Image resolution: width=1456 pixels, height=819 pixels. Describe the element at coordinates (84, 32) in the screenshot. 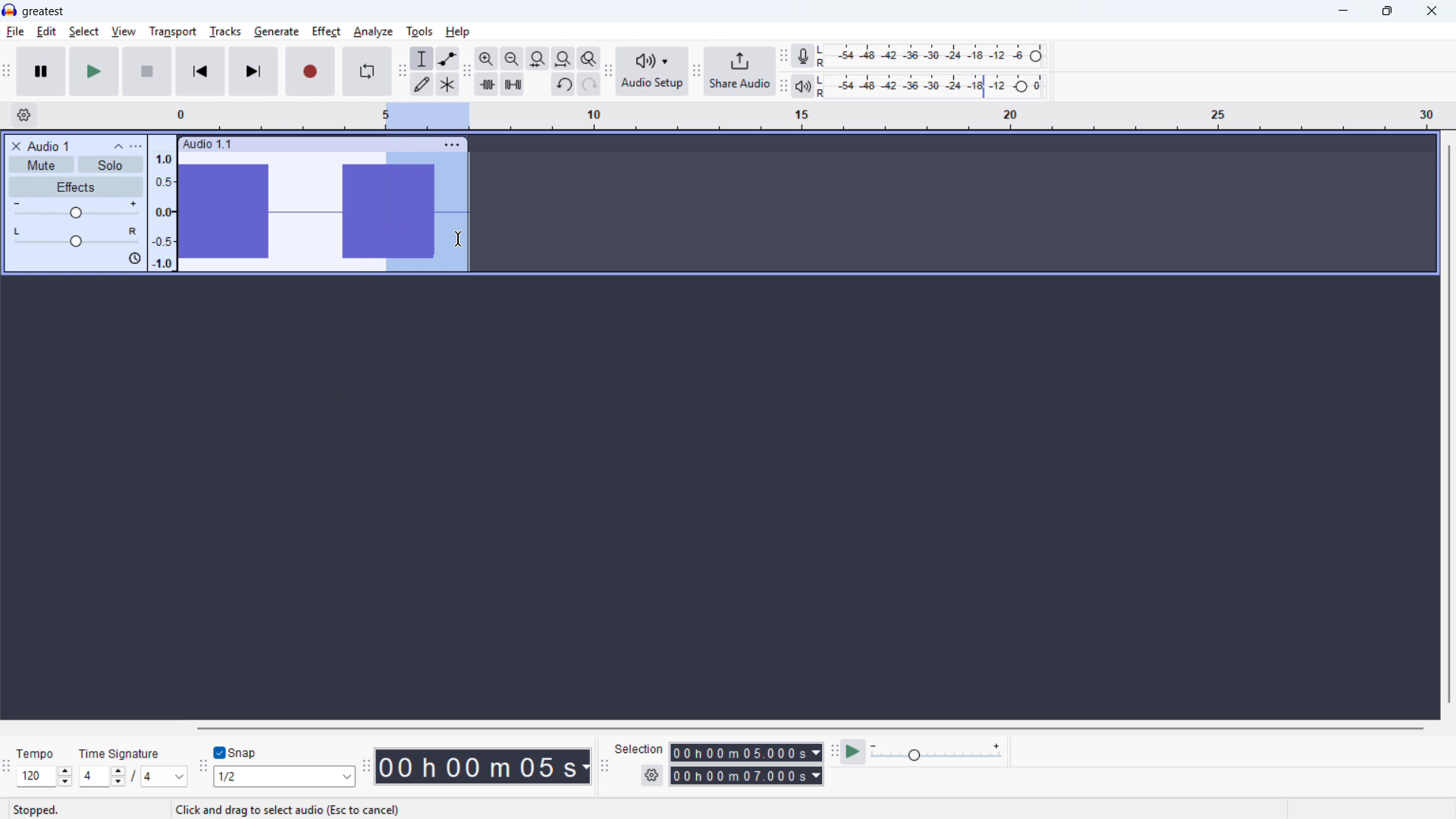

I see `select` at that location.